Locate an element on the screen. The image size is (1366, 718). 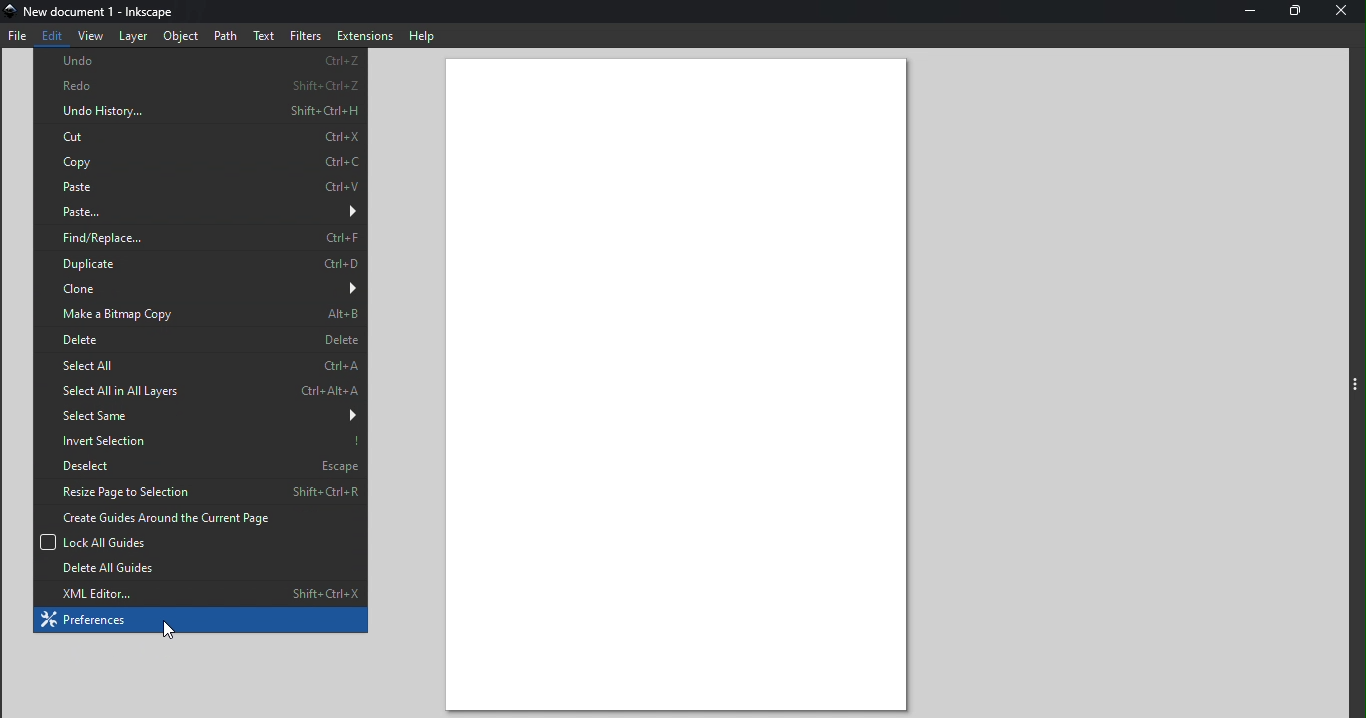
Clone is located at coordinates (199, 290).